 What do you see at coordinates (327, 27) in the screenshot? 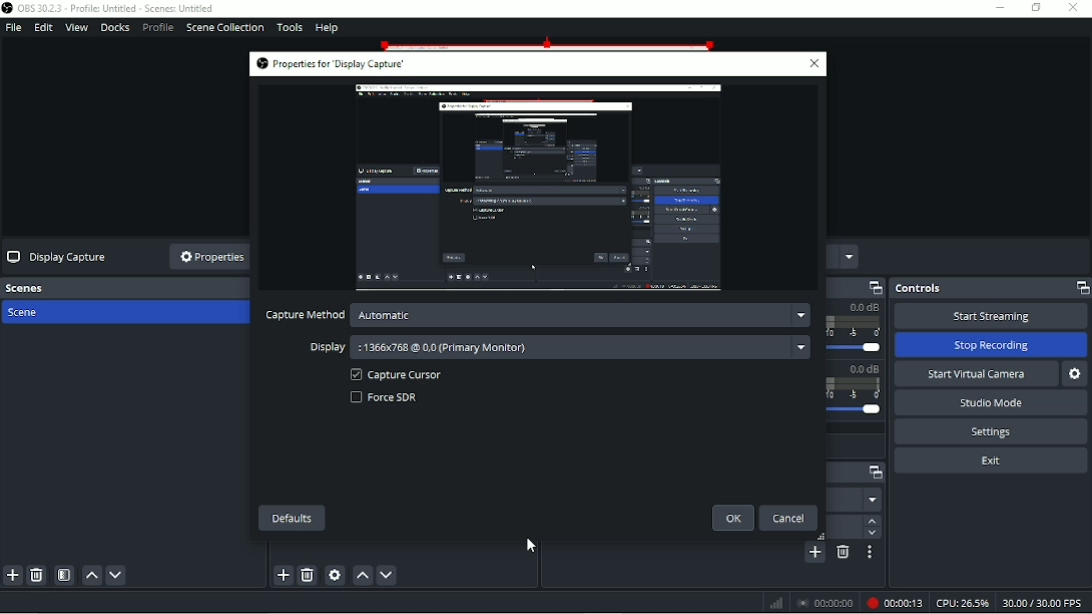
I see `Help` at bounding box center [327, 27].